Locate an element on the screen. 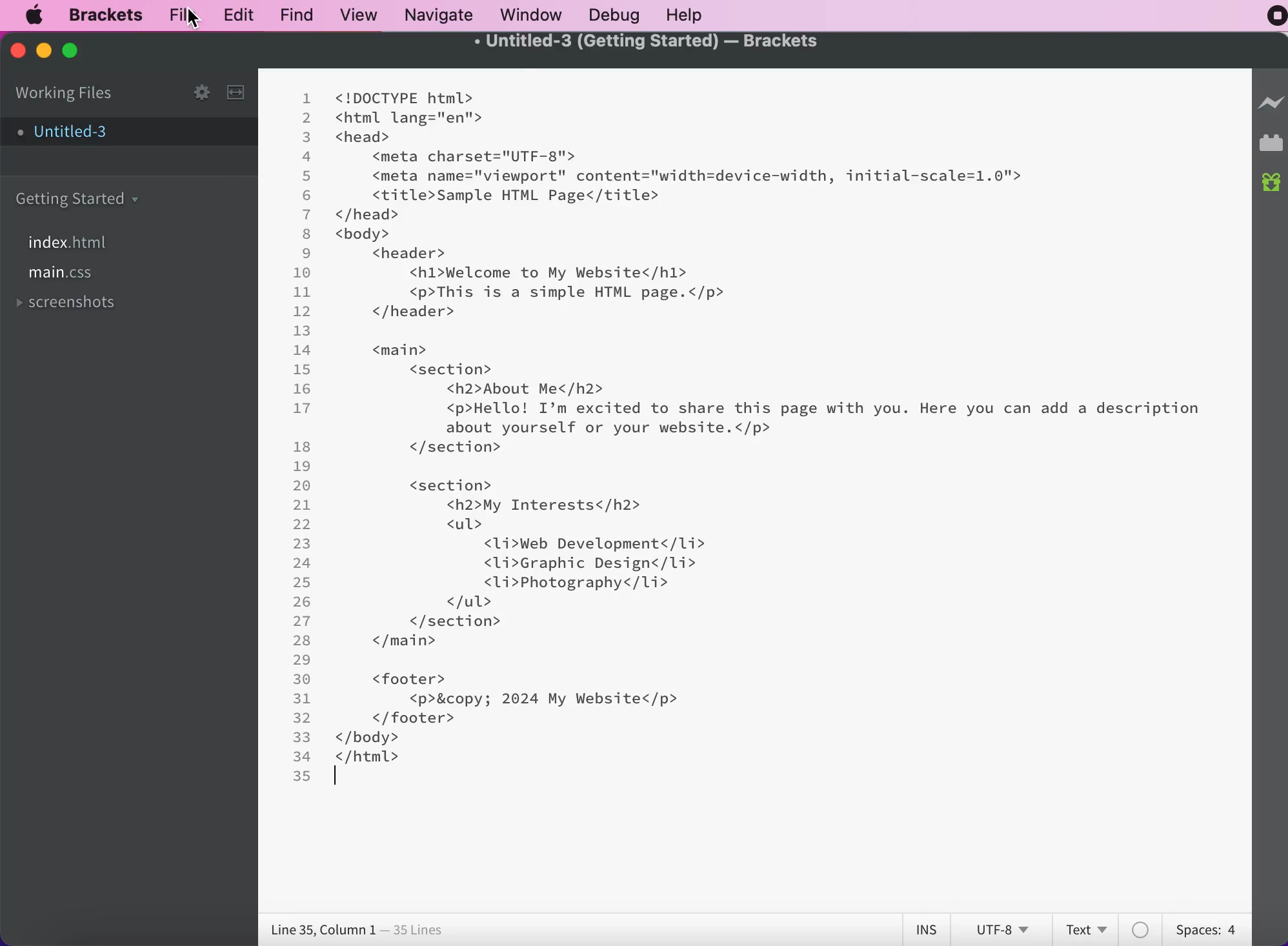 This screenshot has height=946, width=1288. live preview is located at coordinates (1269, 103).